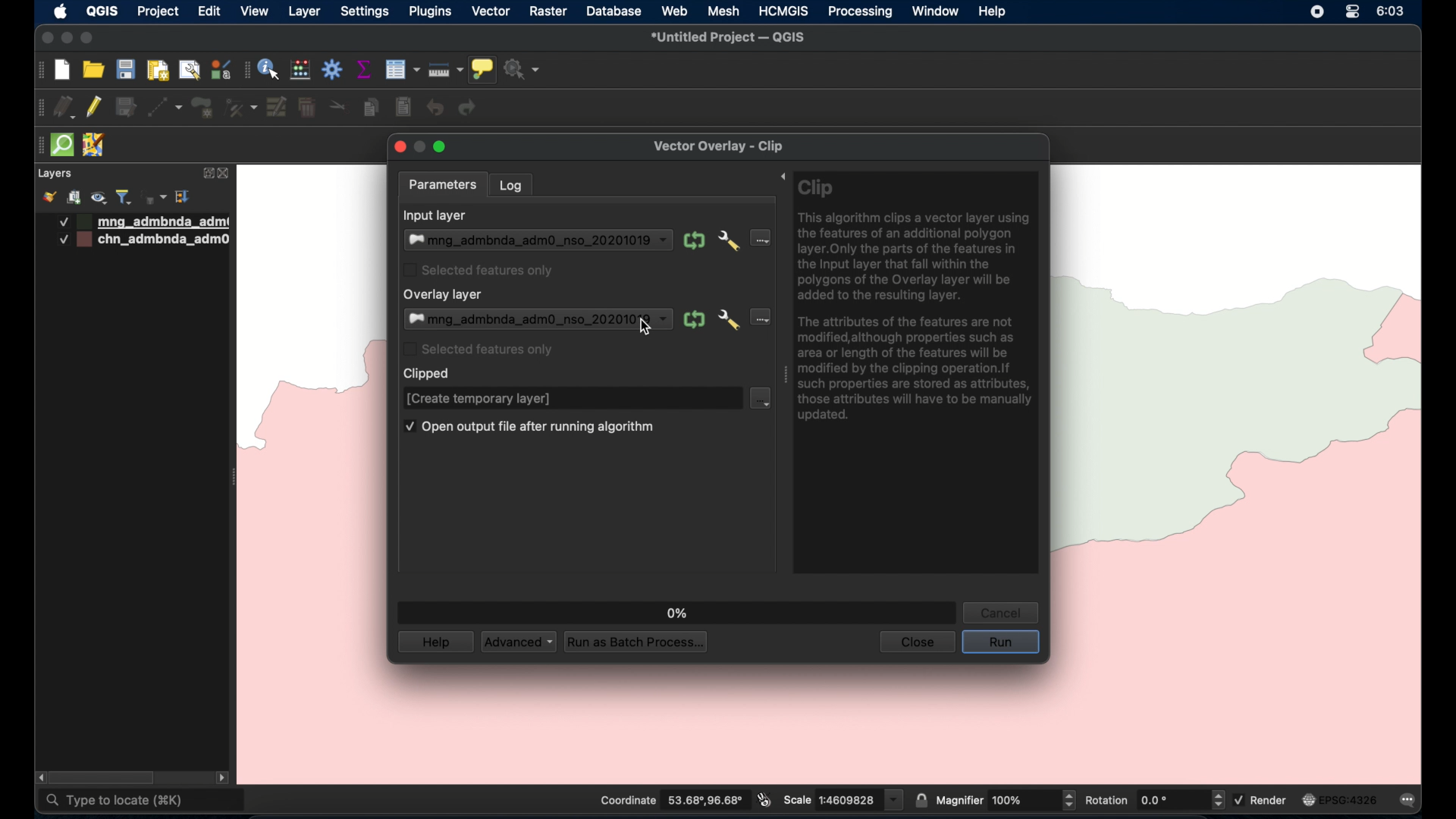  I want to click on layers , so click(54, 174).